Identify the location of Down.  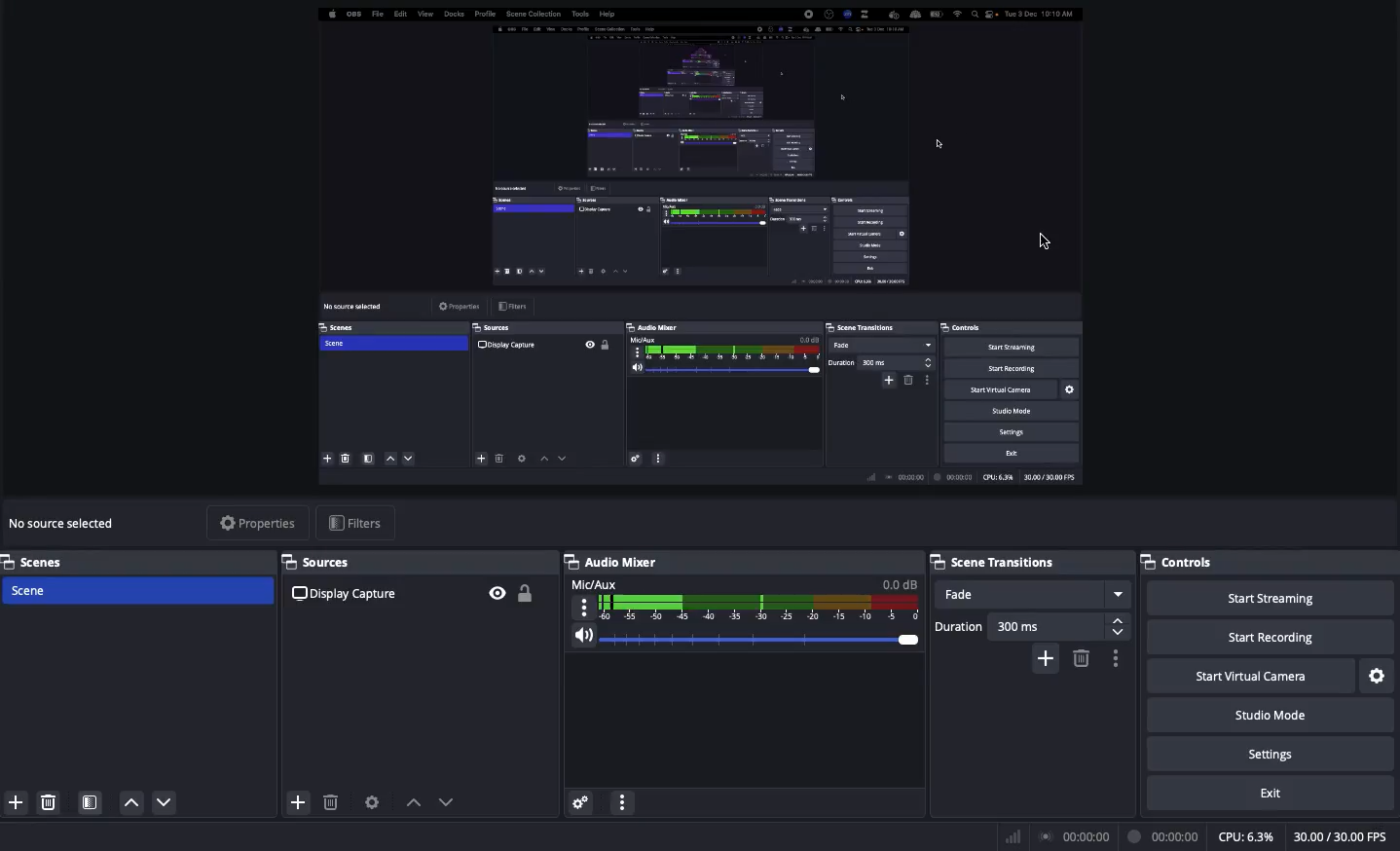
(451, 804).